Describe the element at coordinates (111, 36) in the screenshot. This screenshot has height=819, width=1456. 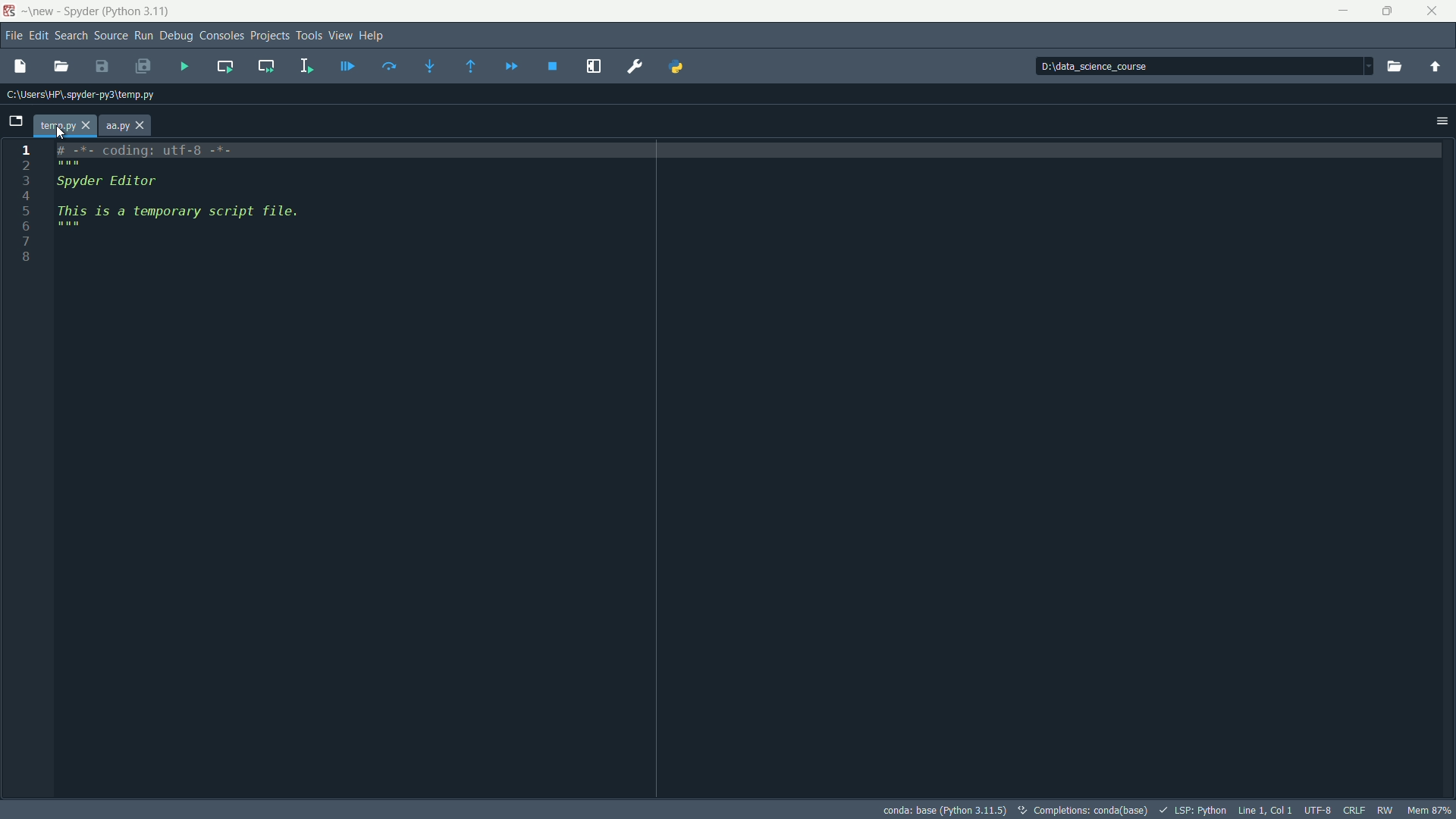
I see `source menu` at that location.